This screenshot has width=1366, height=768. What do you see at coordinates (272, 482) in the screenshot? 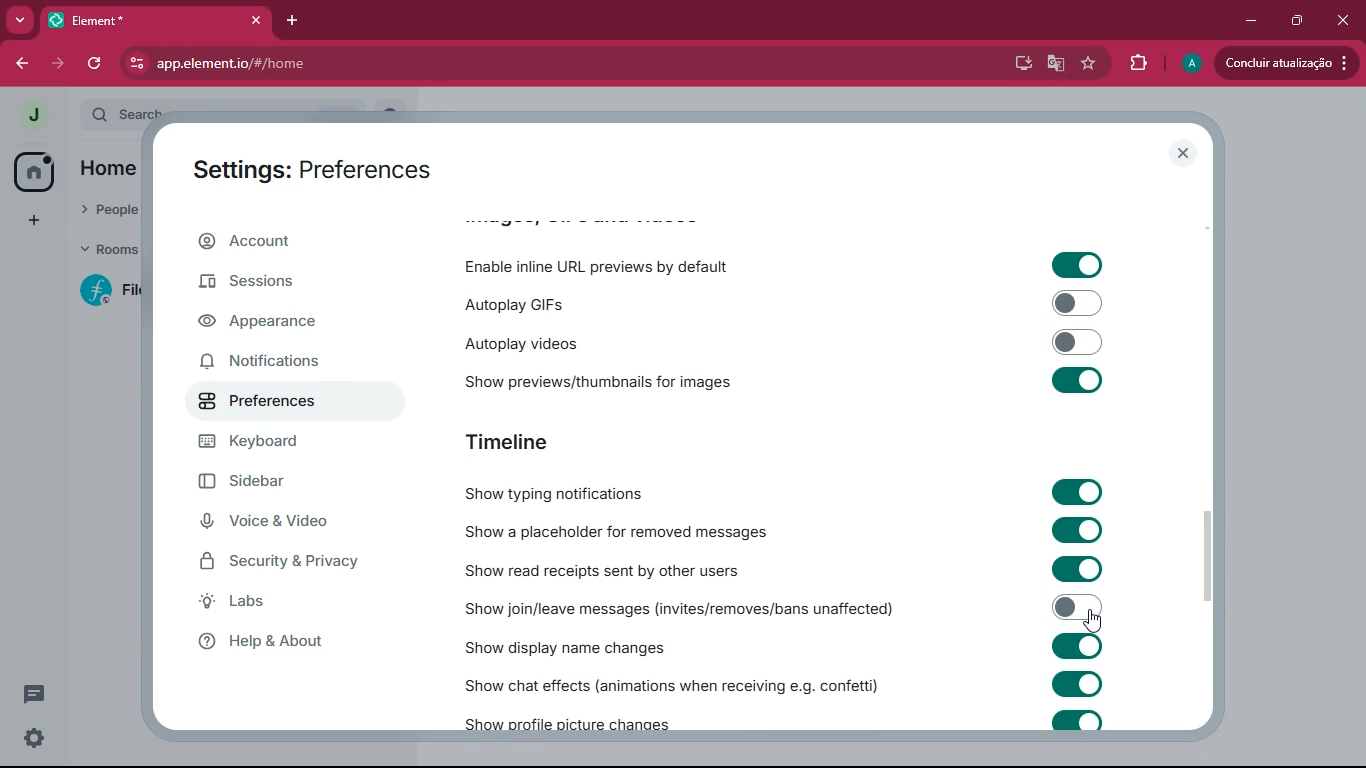
I see `sidebar` at bounding box center [272, 482].